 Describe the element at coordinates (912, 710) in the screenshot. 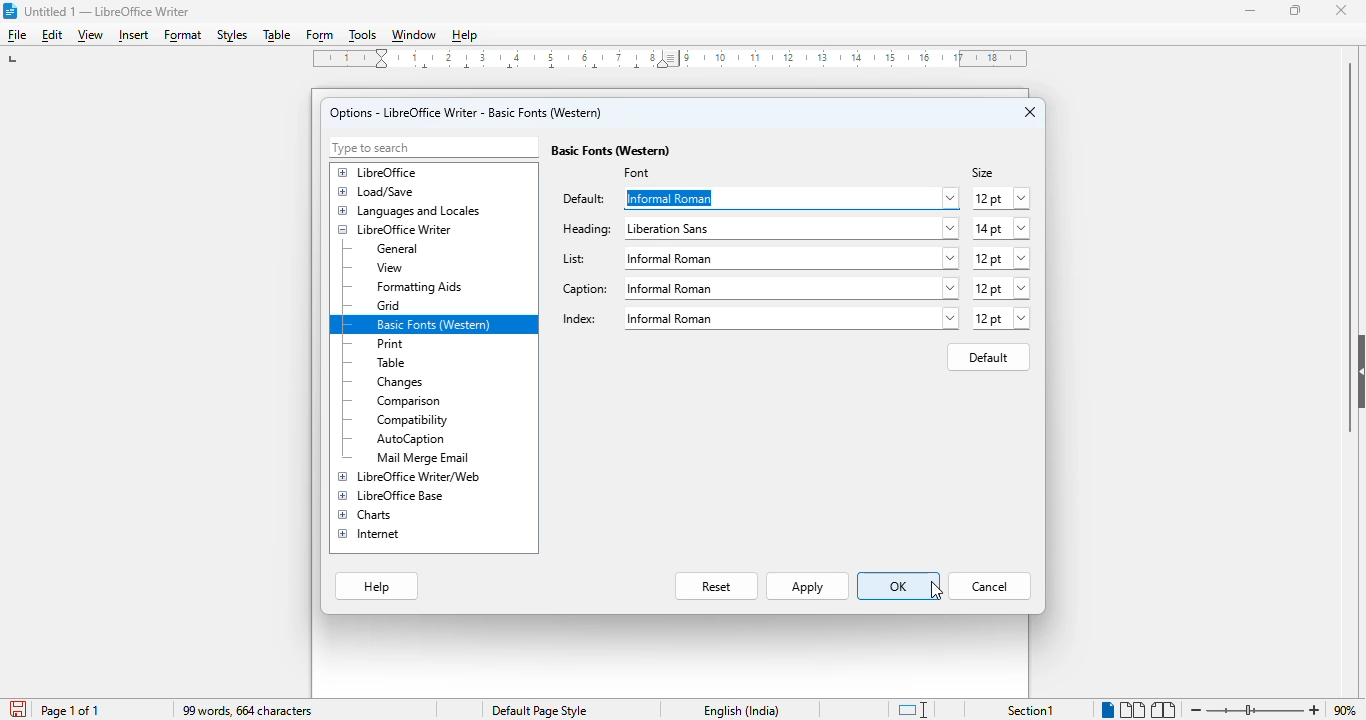

I see `standard selection` at that location.